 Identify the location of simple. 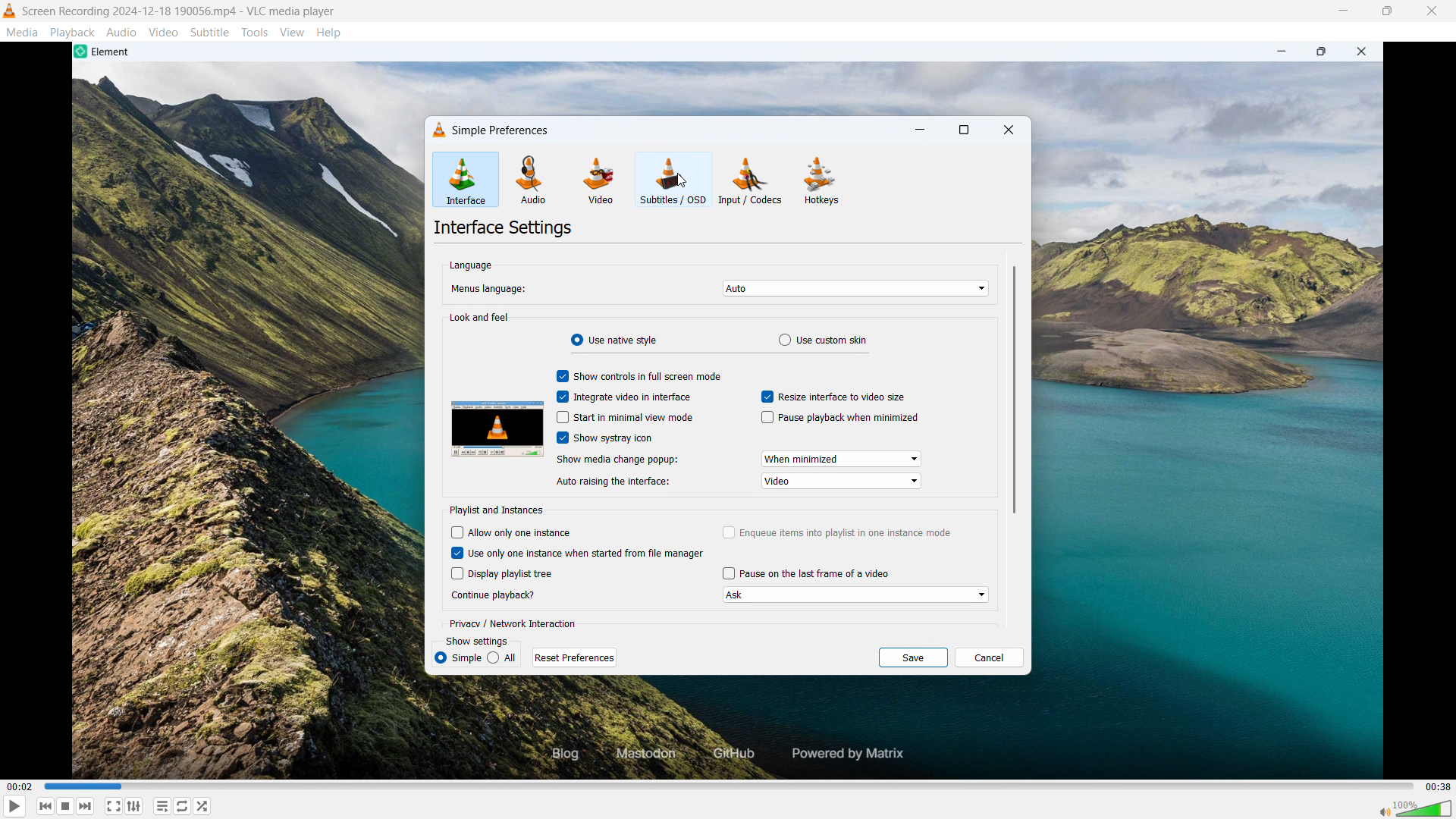
(502, 658).